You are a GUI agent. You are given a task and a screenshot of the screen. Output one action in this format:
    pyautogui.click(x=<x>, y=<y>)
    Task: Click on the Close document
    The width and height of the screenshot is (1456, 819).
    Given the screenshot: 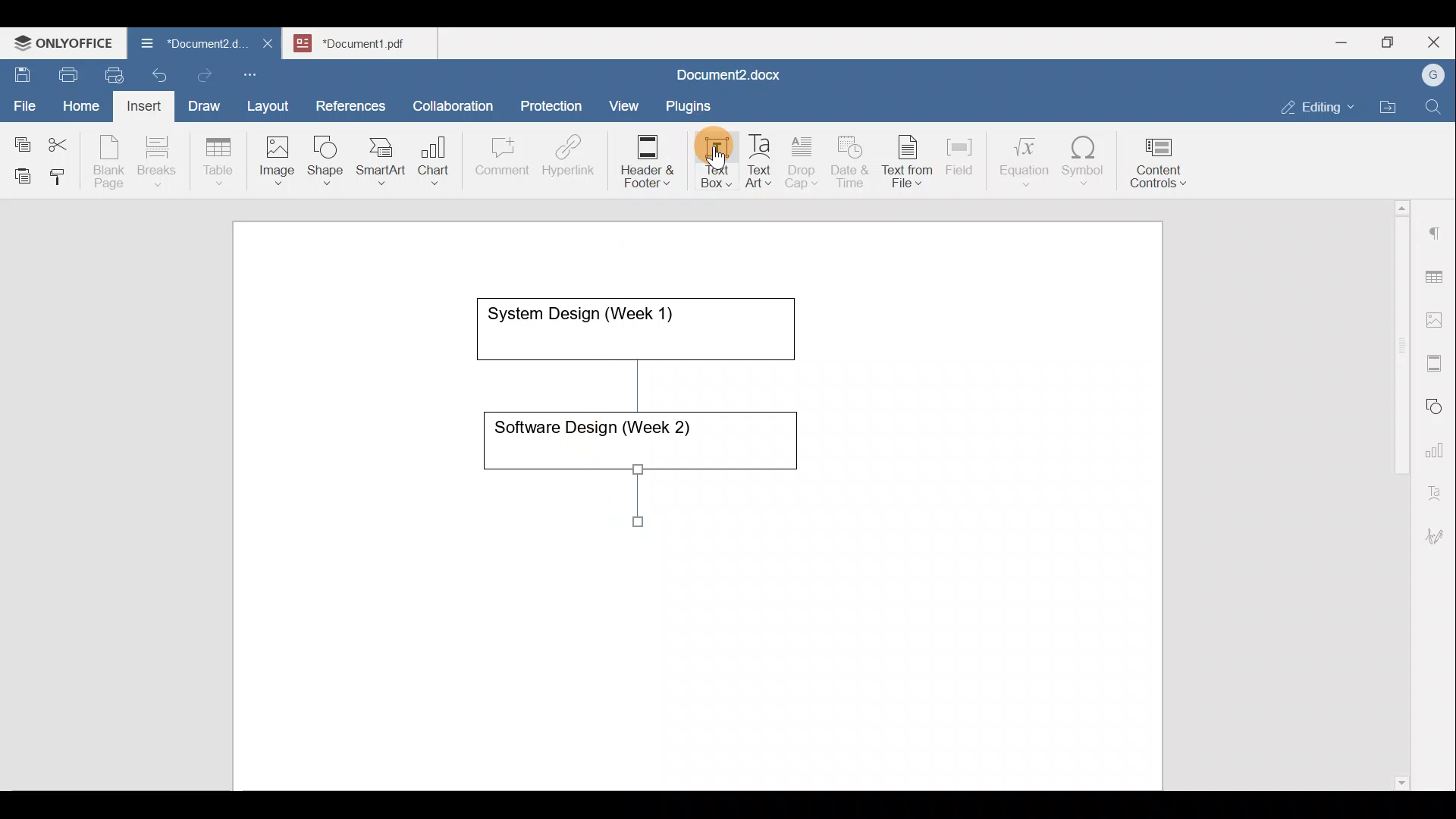 What is the action you would take?
    pyautogui.click(x=268, y=45)
    